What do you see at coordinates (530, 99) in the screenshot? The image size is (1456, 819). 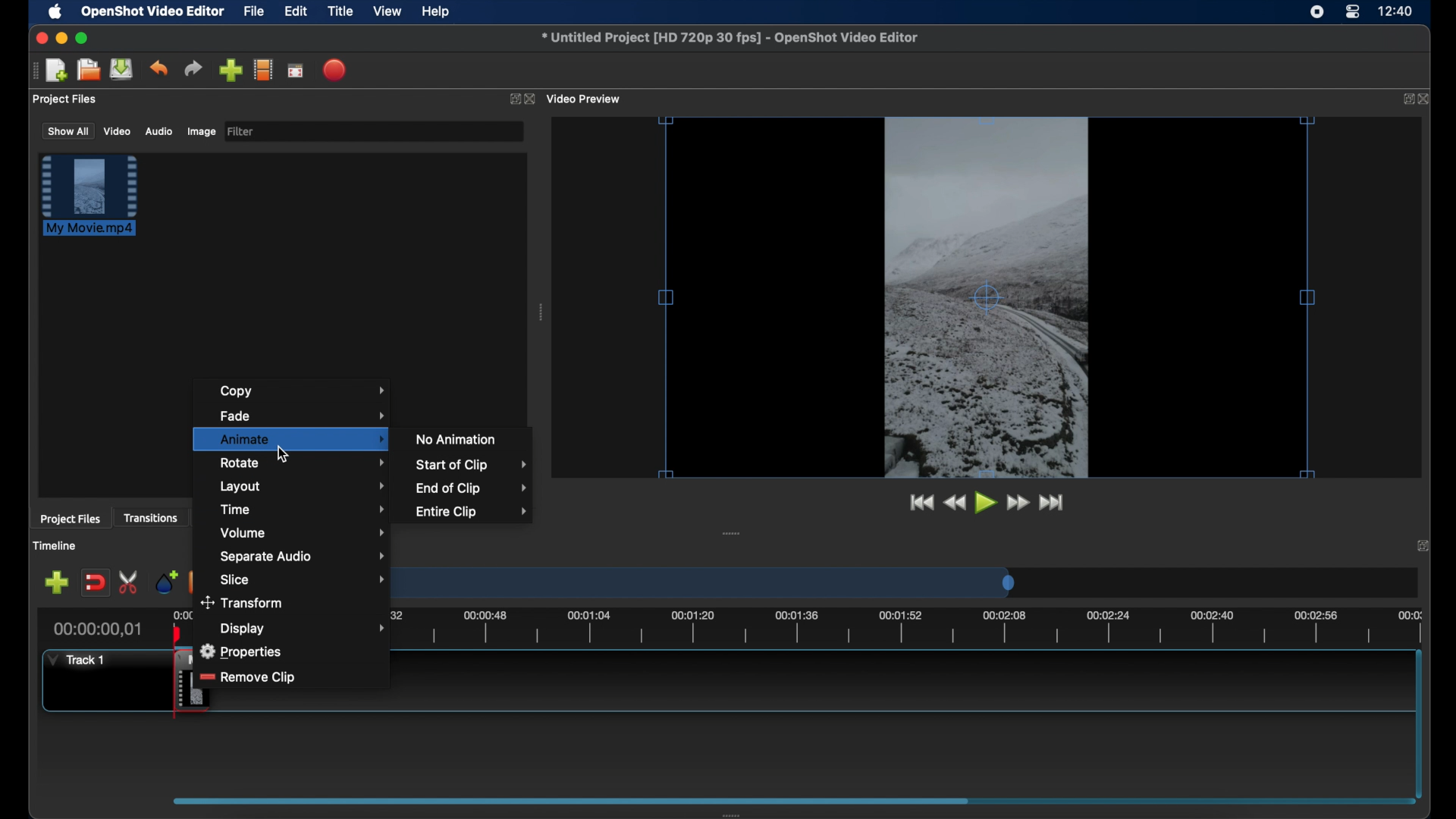 I see `close` at bounding box center [530, 99].